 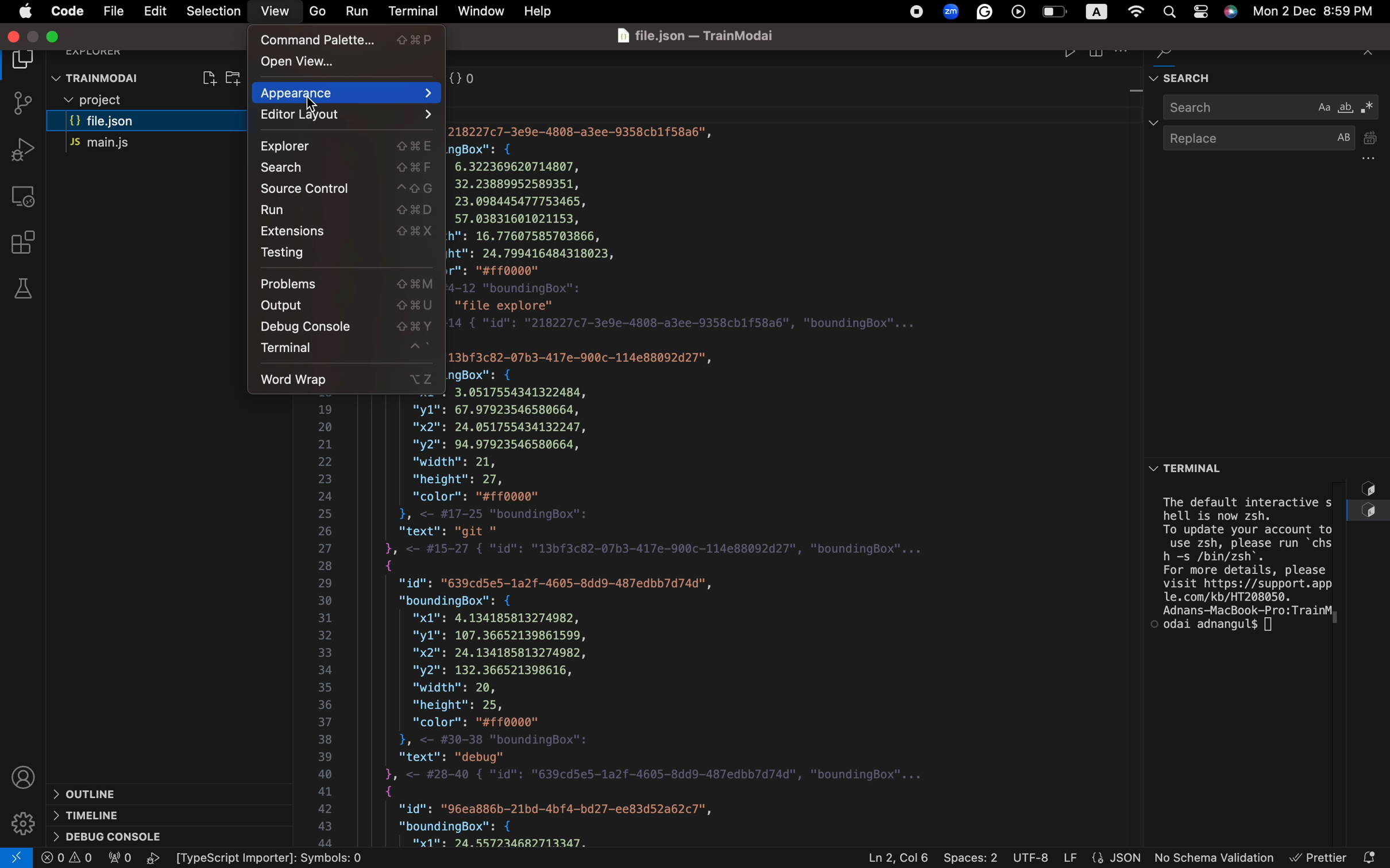 What do you see at coordinates (1271, 69) in the screenshot?
I see `find and search` at bounding box center [1271, 69].